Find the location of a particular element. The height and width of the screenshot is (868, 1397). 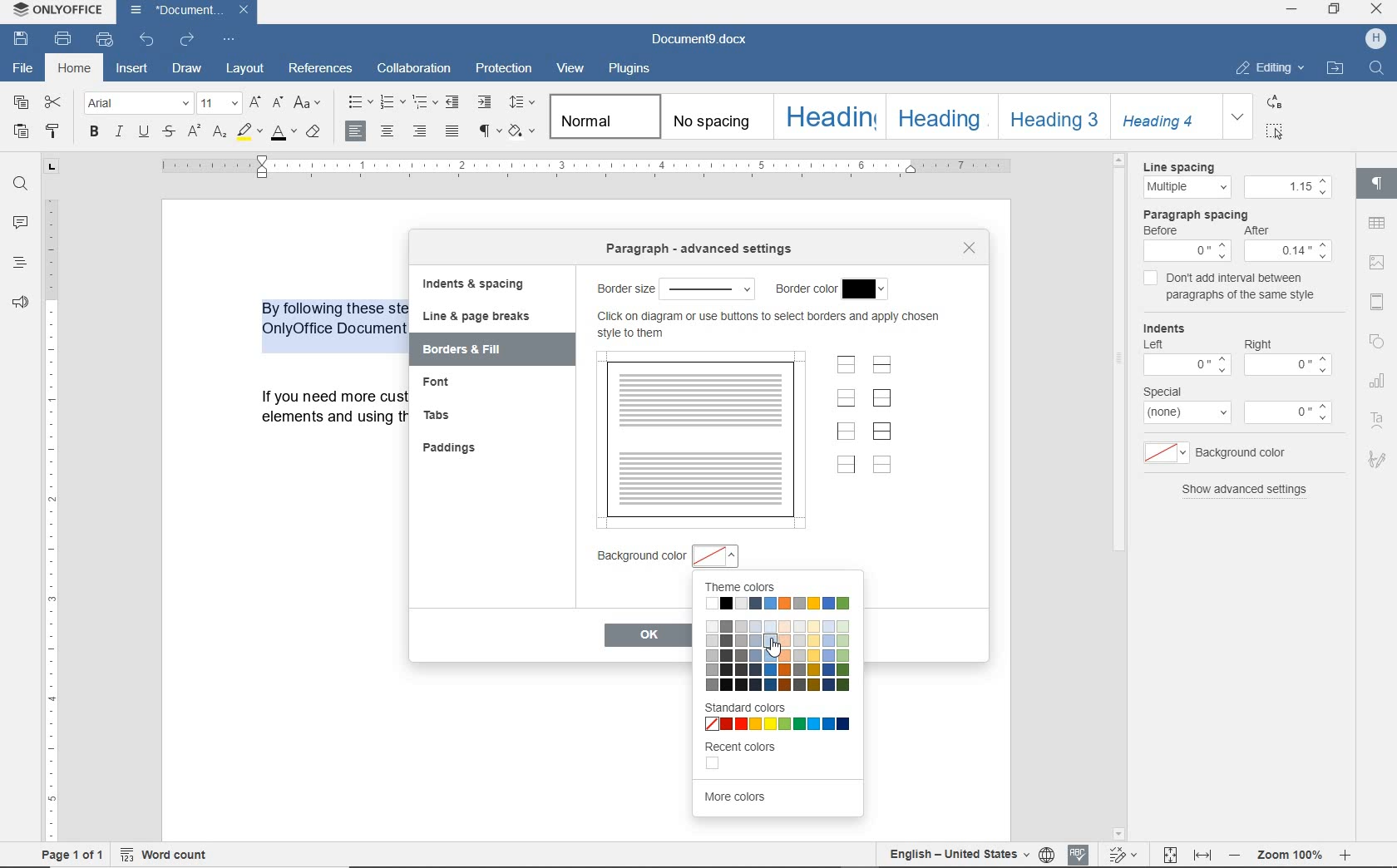

tabs is located at coordinates (443, 416).